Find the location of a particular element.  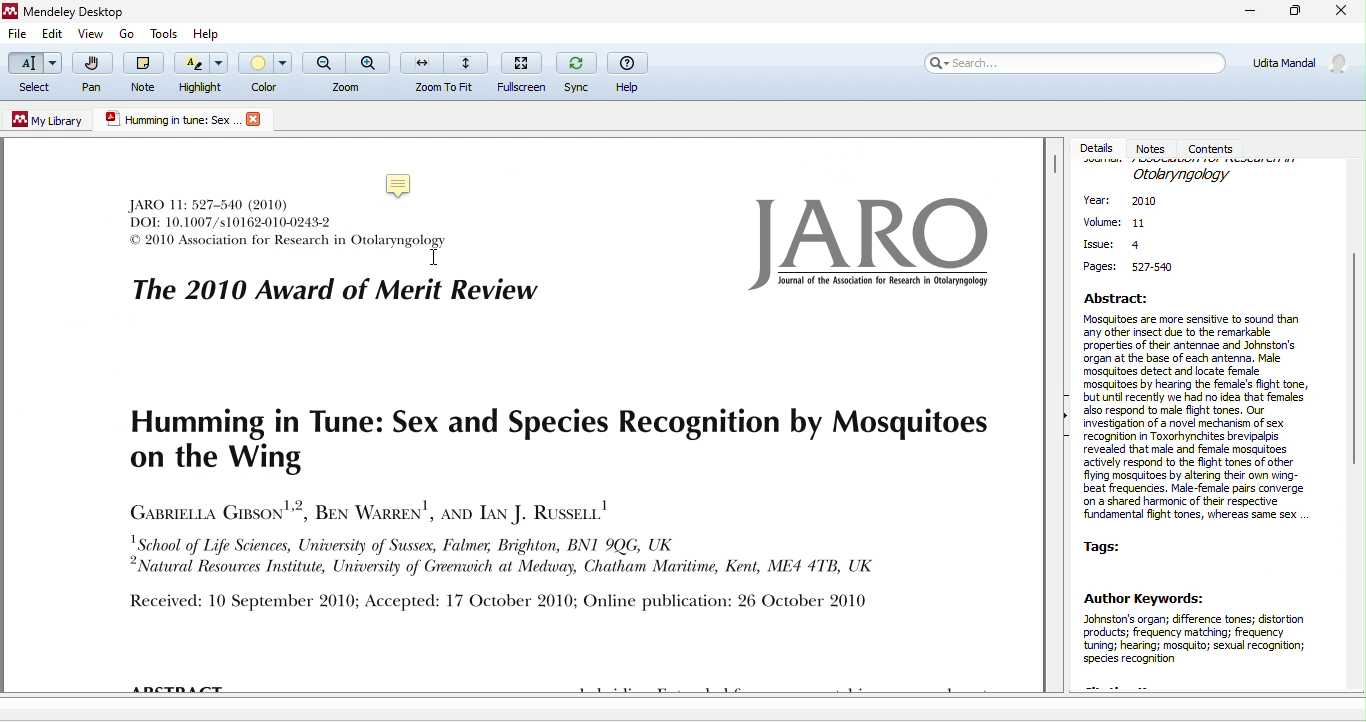

sync is located at coordinates (574, 71).